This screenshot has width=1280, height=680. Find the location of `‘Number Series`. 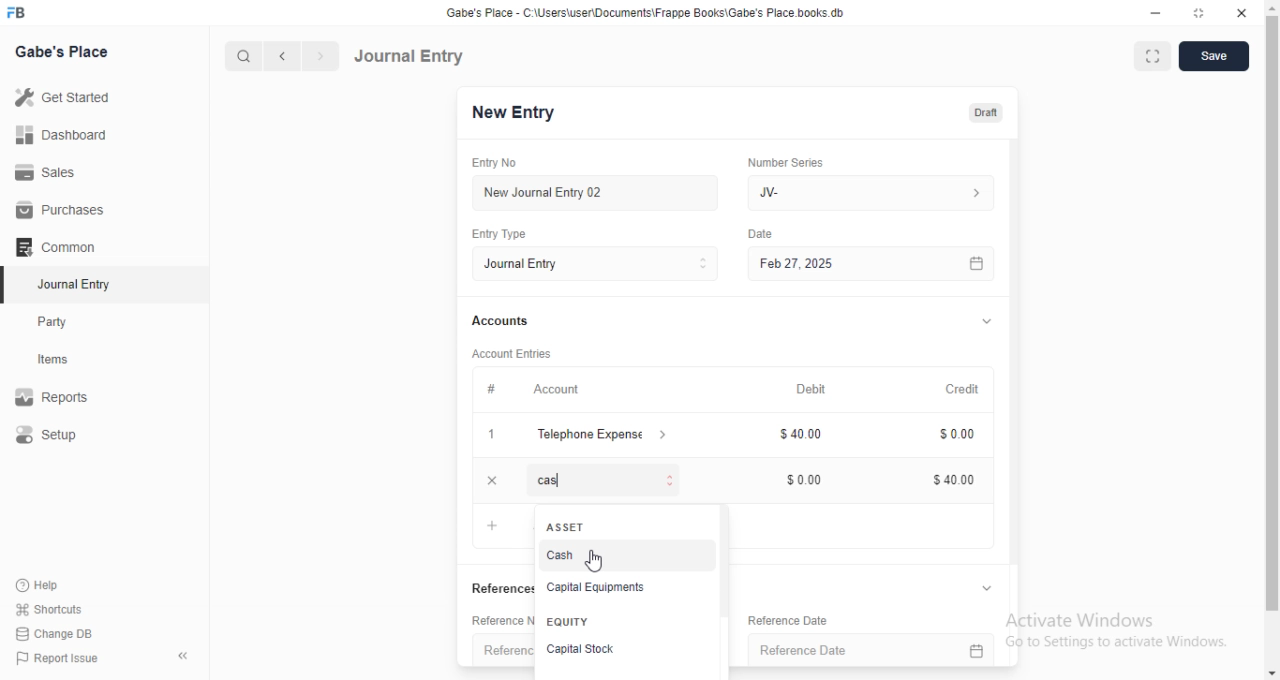

‘Number Series is located at coordinates (794, 162).